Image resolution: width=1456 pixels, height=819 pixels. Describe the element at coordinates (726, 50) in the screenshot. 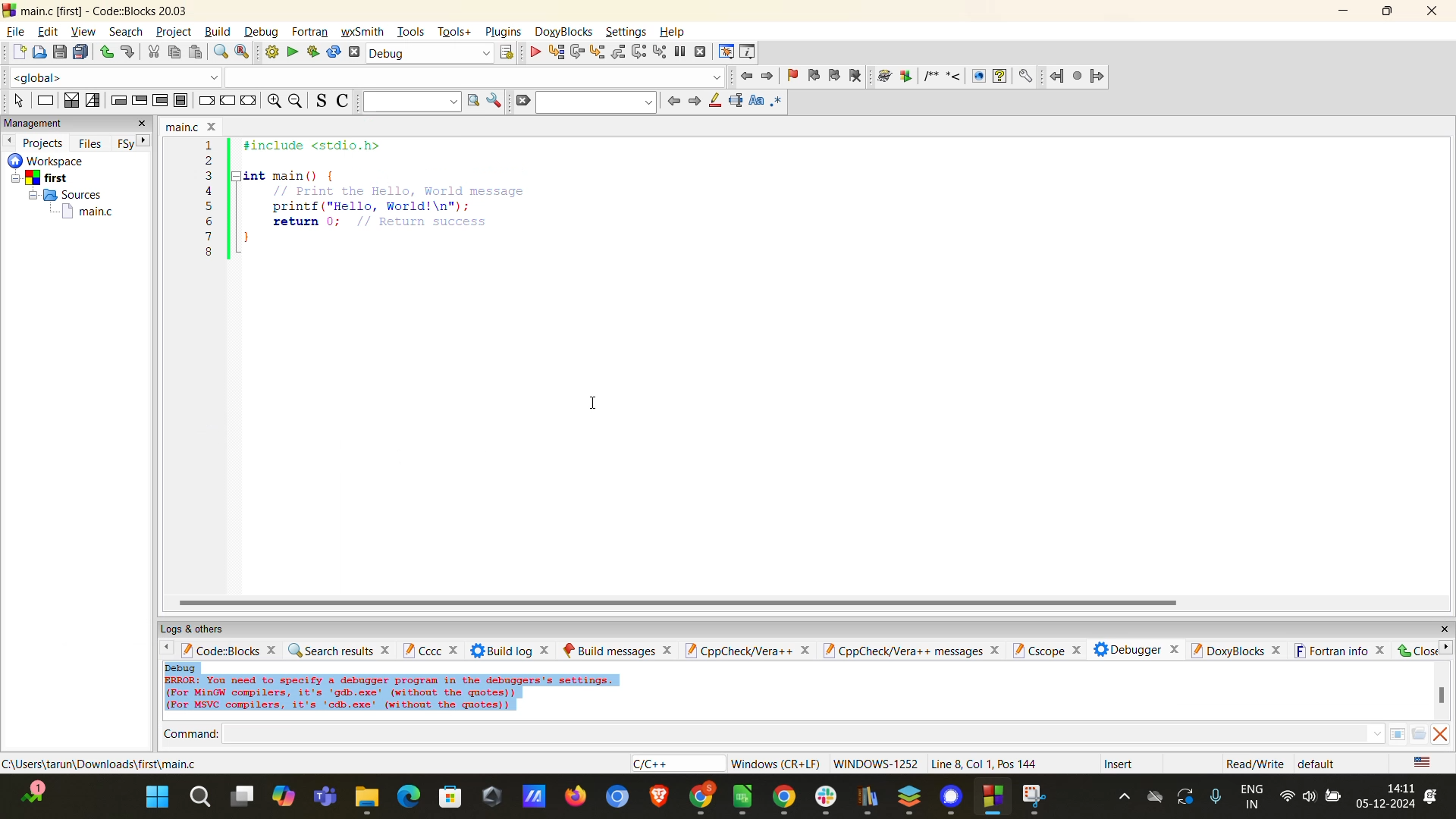

I see `debugging windows` at that location.